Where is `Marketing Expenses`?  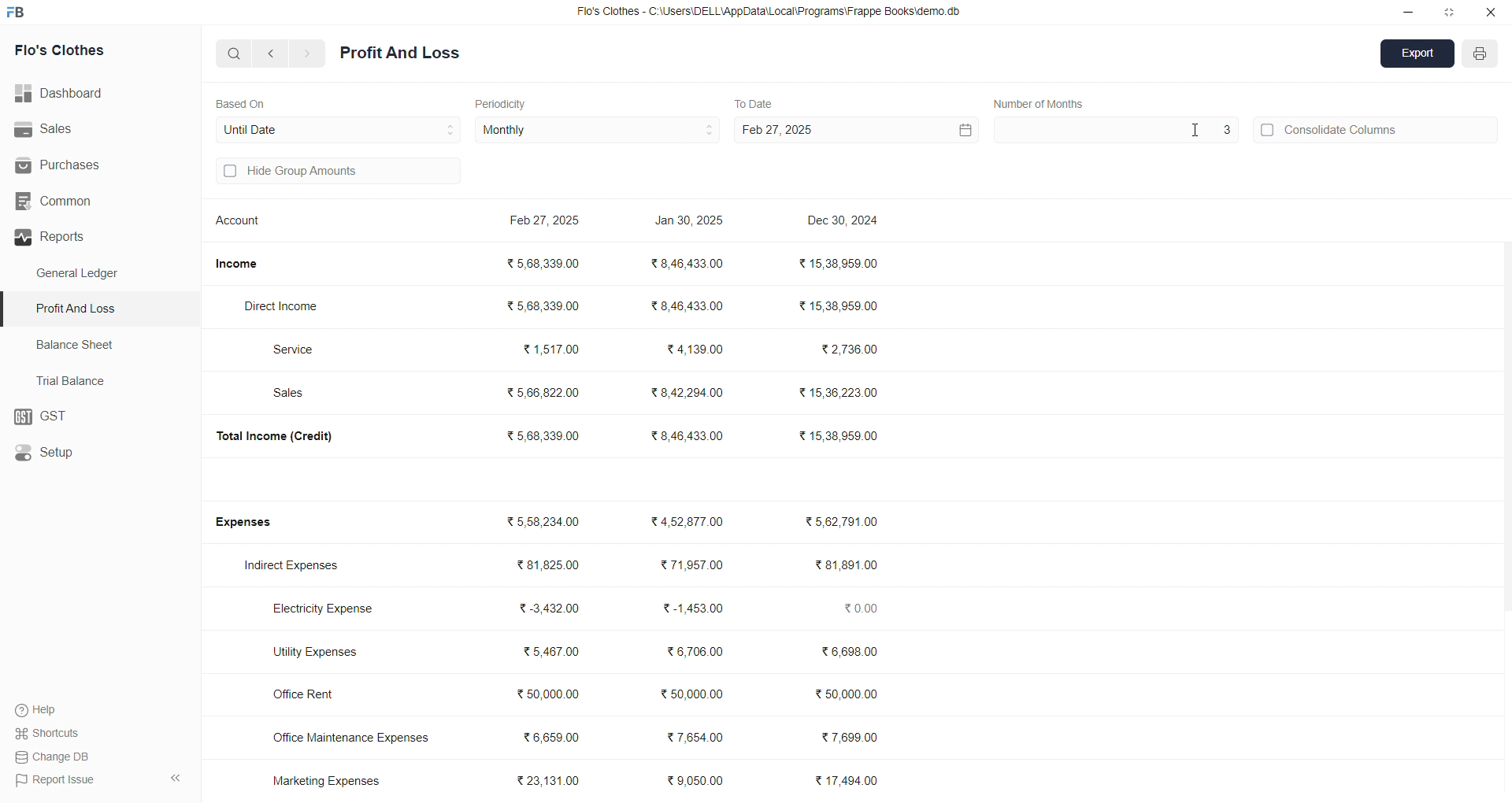
Marketing Expenses is located at coordinates (326, 780).